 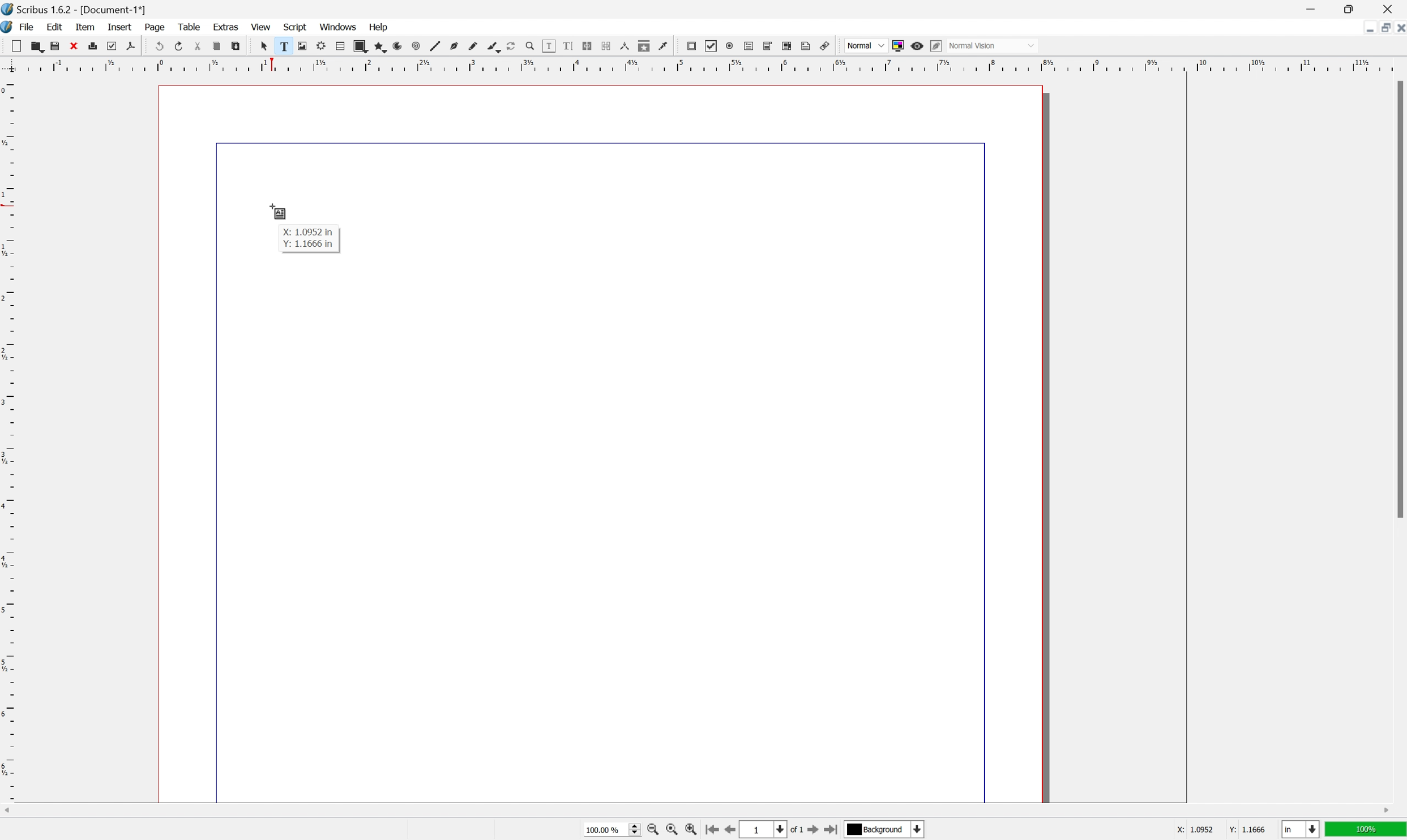 I want to click on zoom in zoom out, so click(x=529, y=46).